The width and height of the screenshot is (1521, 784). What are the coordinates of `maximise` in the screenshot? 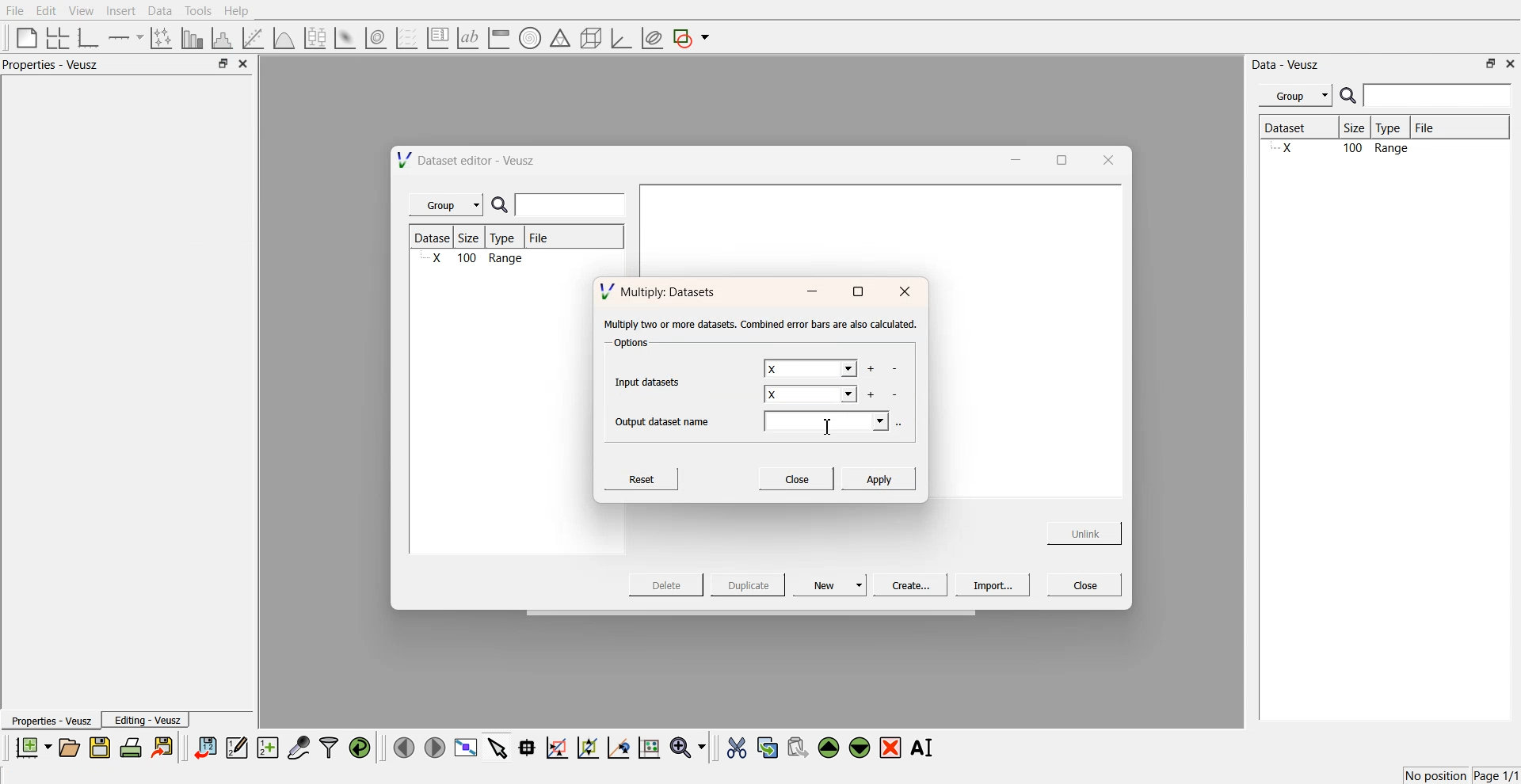 It's located at (1057, 158).